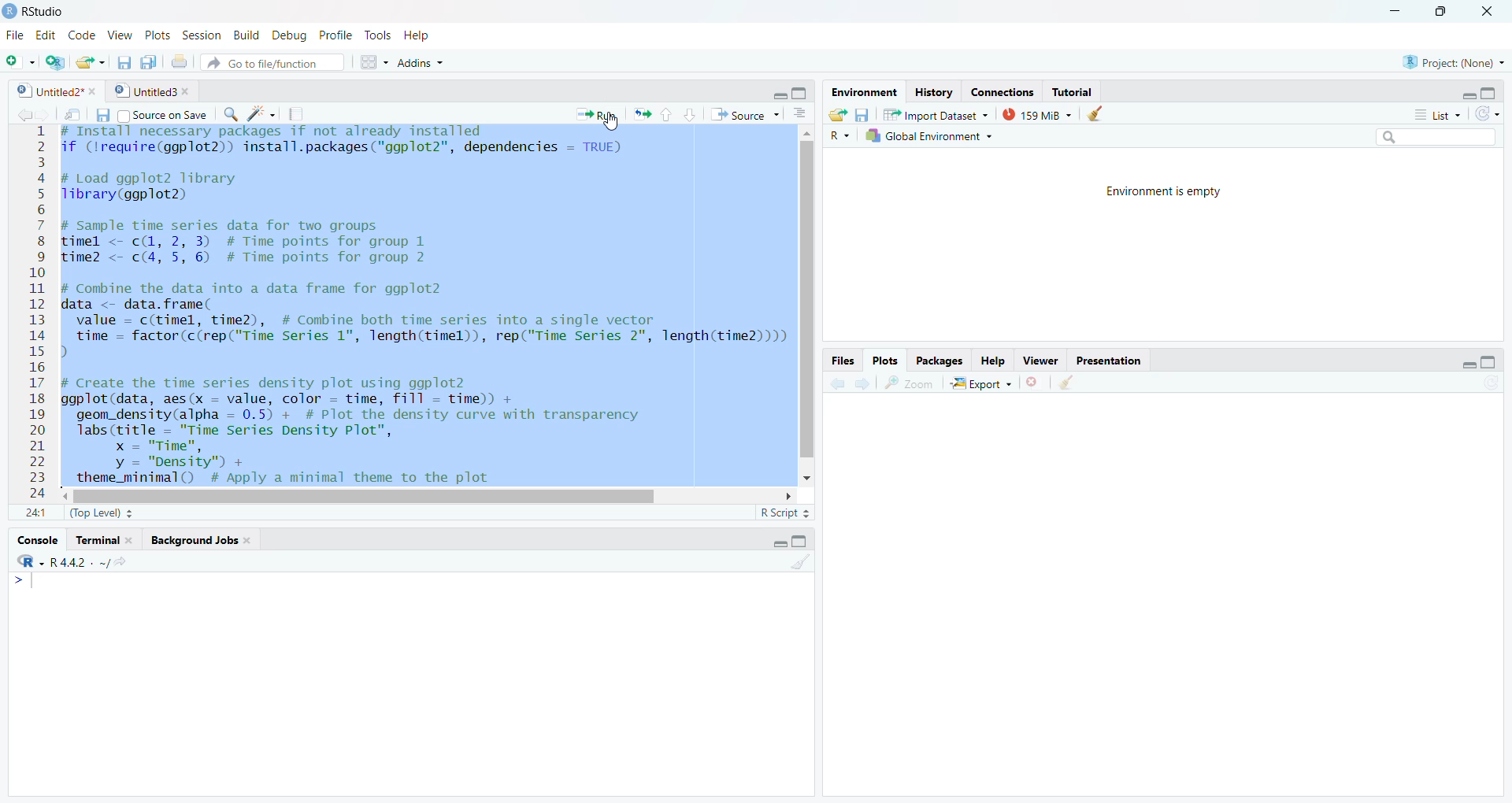 The image size is (1512, 803). I want to click on Search, so click(1433, 136).